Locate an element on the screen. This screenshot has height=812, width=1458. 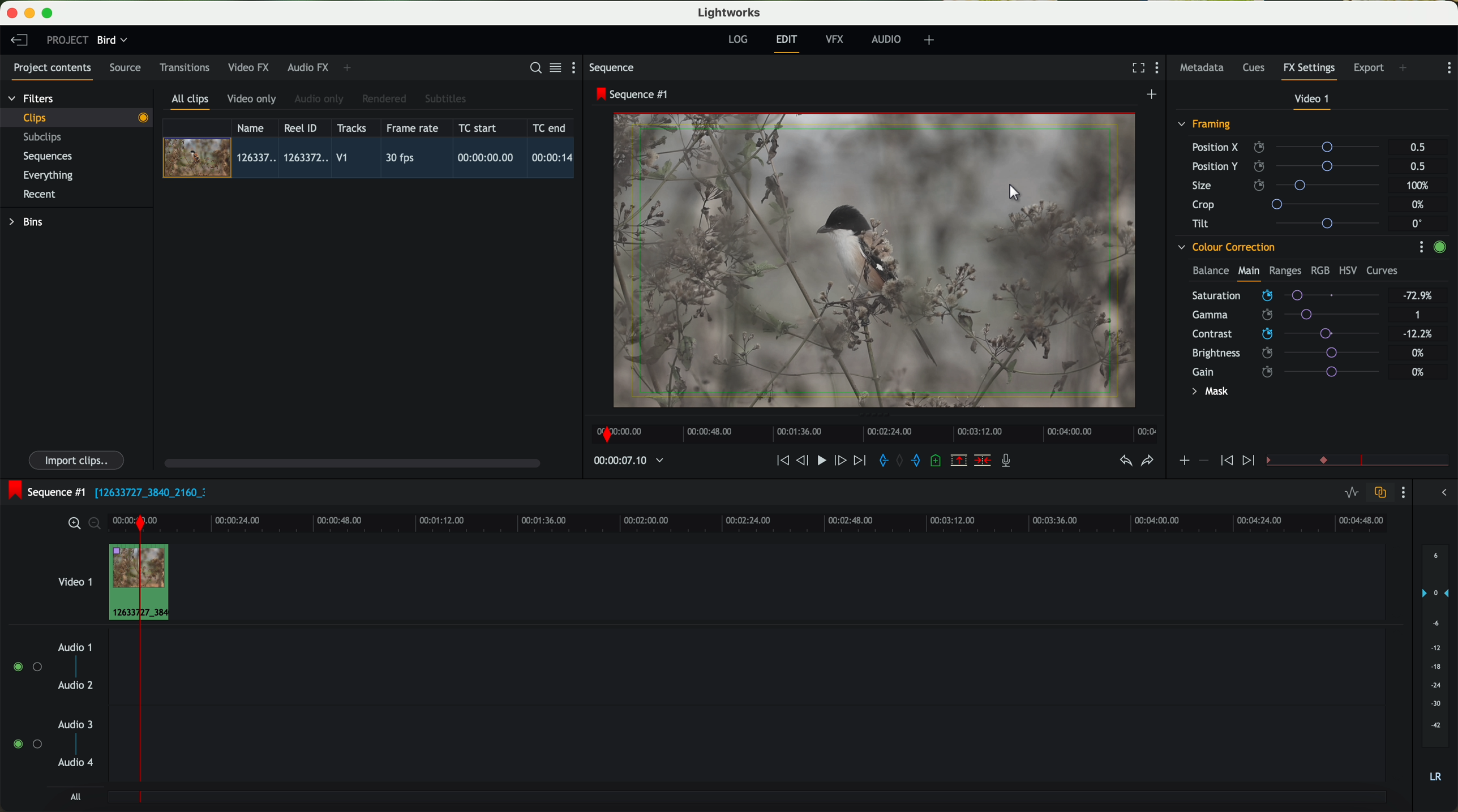
add a cue at the current position is located at coordinates (937, 461).